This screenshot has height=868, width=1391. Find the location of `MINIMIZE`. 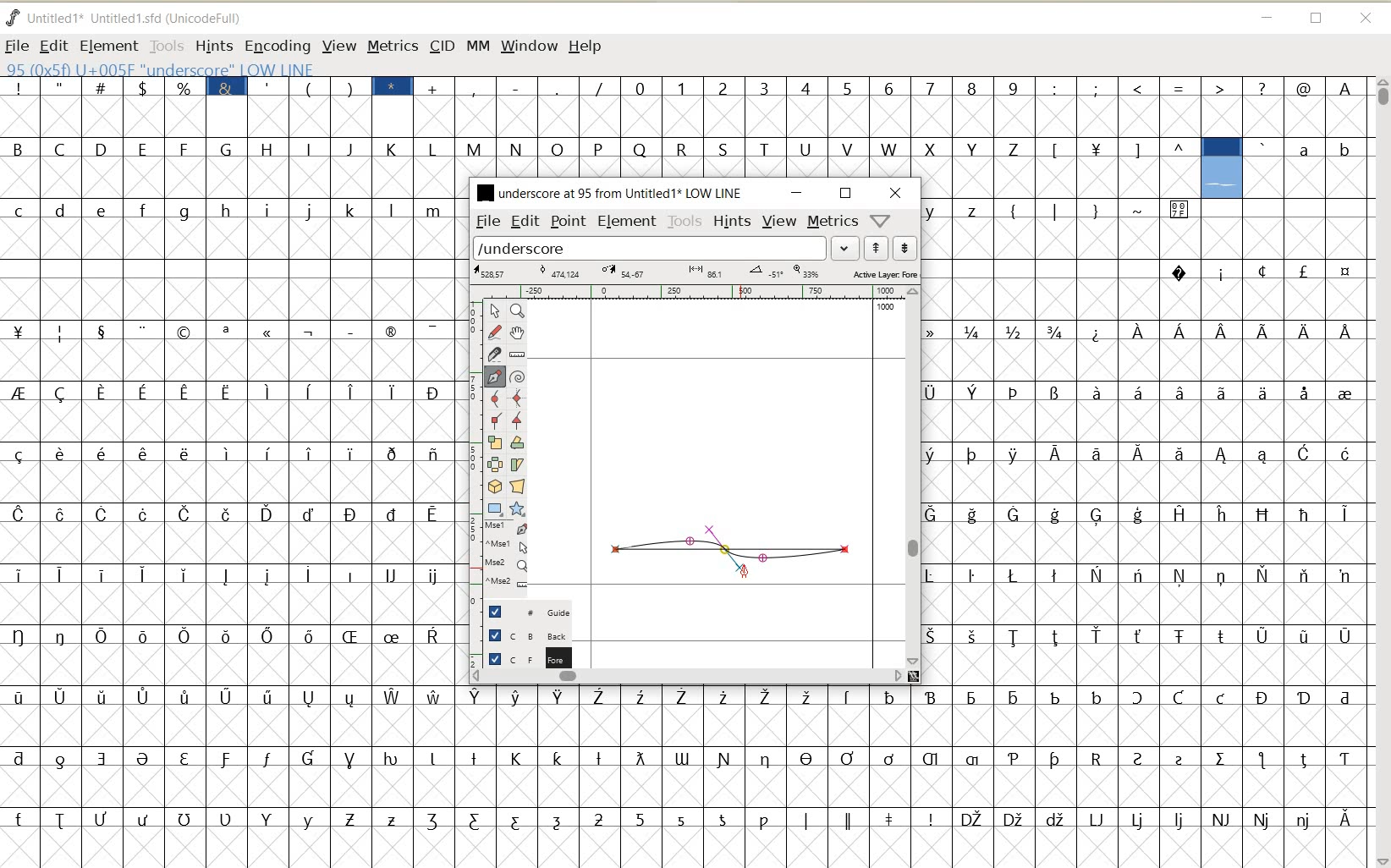

MINIMIZE is located at coordinates (798, 193).